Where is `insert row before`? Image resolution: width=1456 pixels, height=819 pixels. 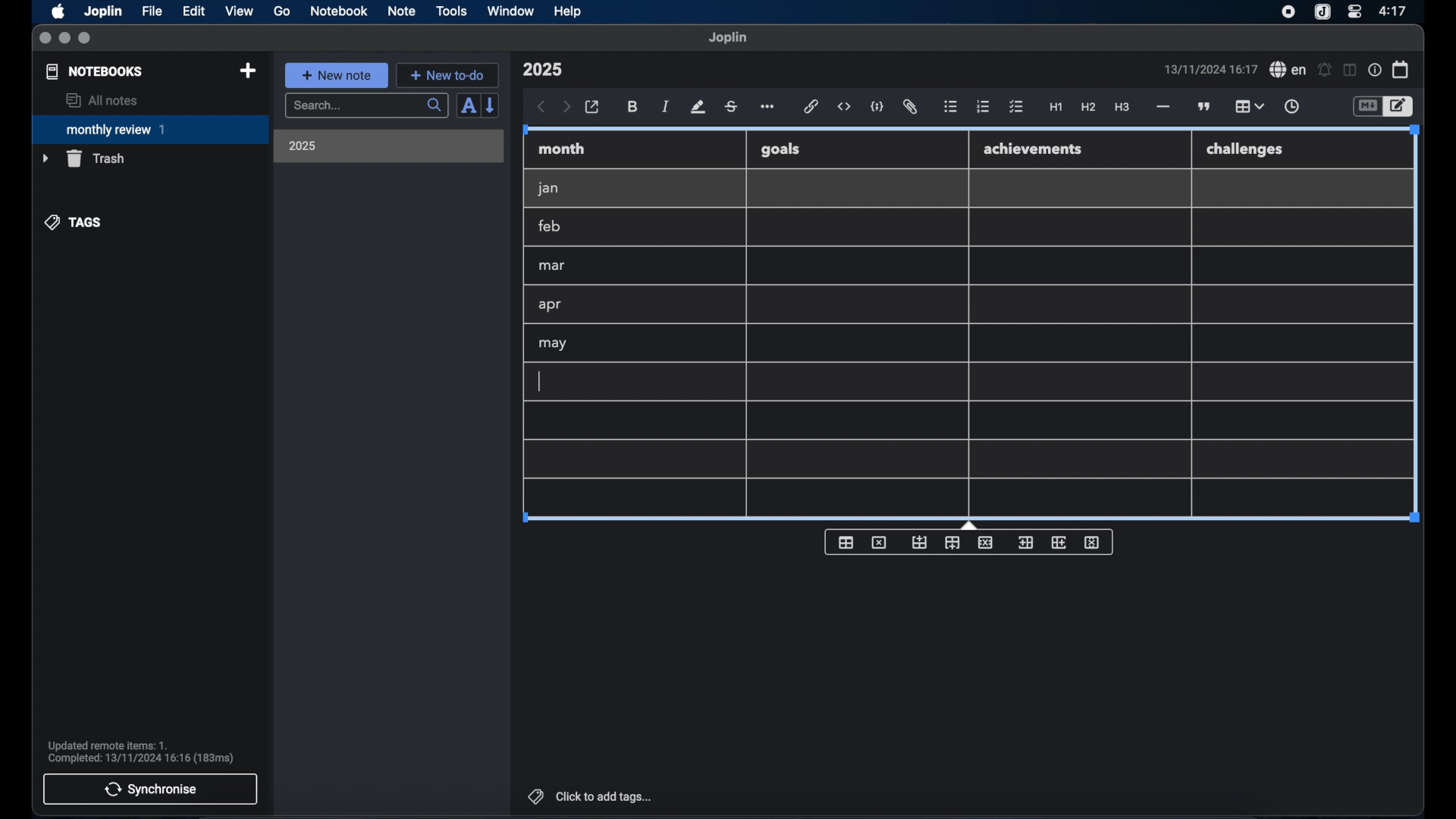
insert row before is located at coordinates (920, 543).